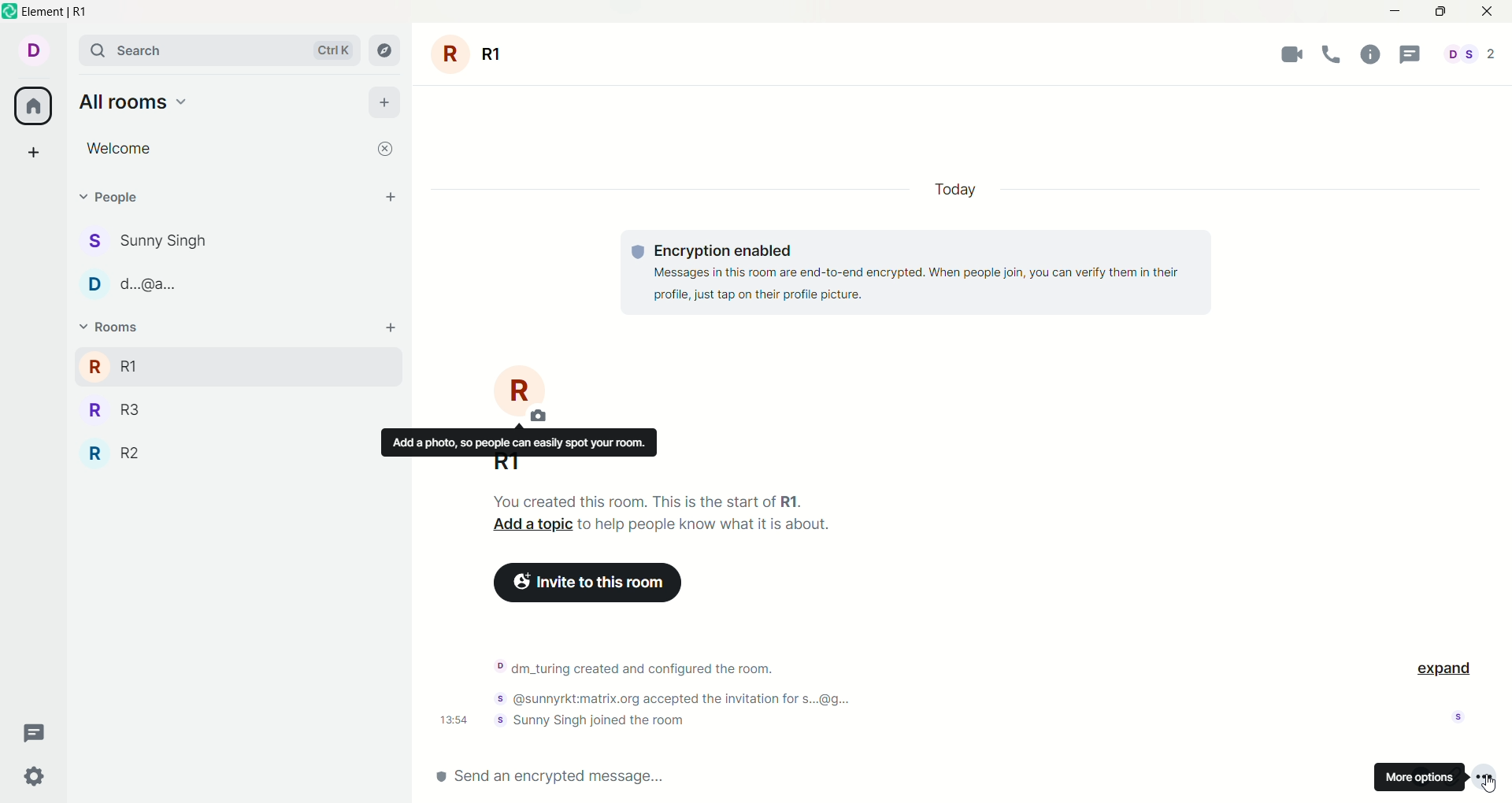 The width and height of the screenshot is (1512, 803). I want to click on Sunny Singh chat, so click(145, 241).